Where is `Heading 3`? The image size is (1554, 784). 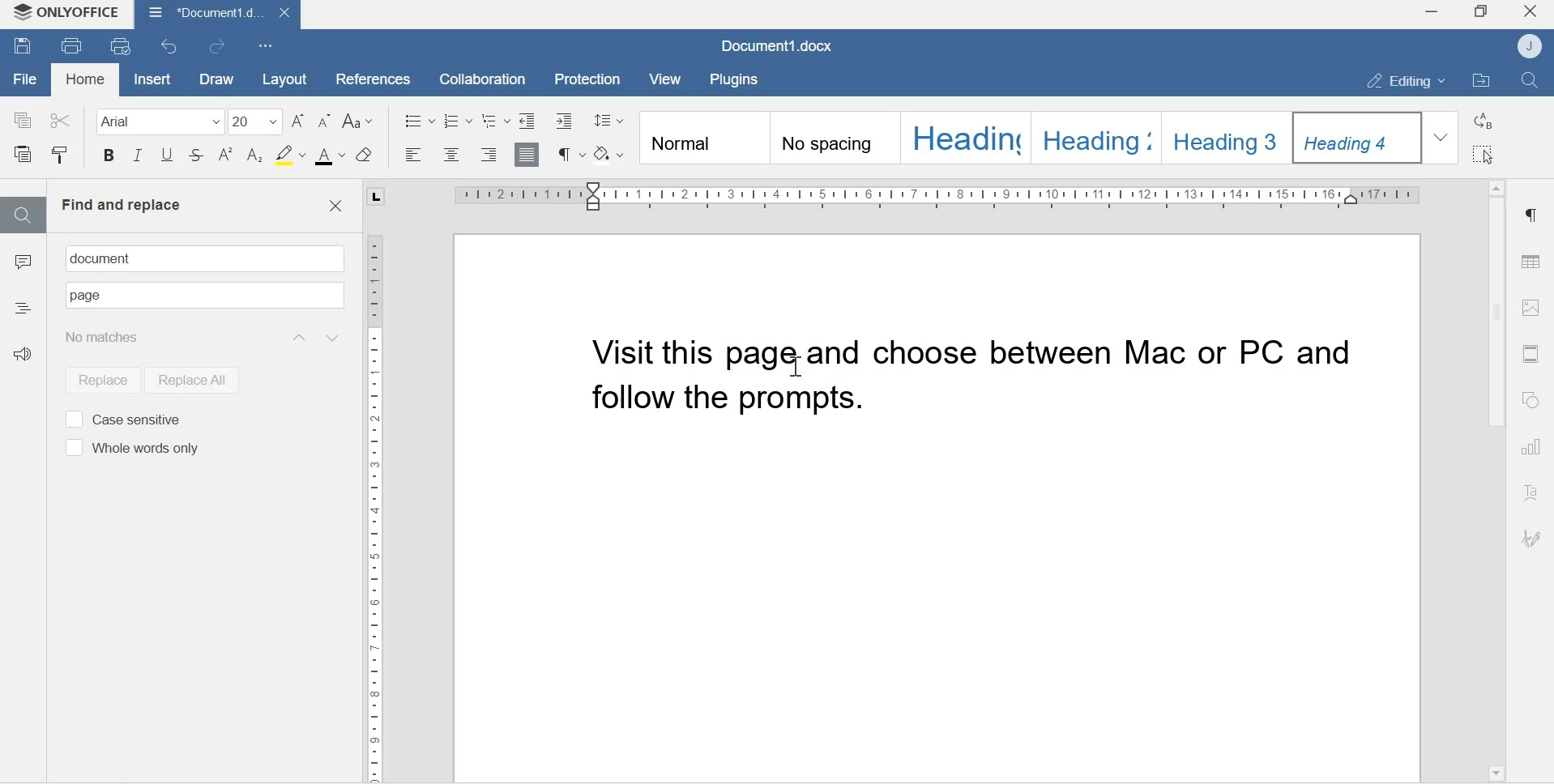
Heading 3 is located at coordinates (1229, 135).